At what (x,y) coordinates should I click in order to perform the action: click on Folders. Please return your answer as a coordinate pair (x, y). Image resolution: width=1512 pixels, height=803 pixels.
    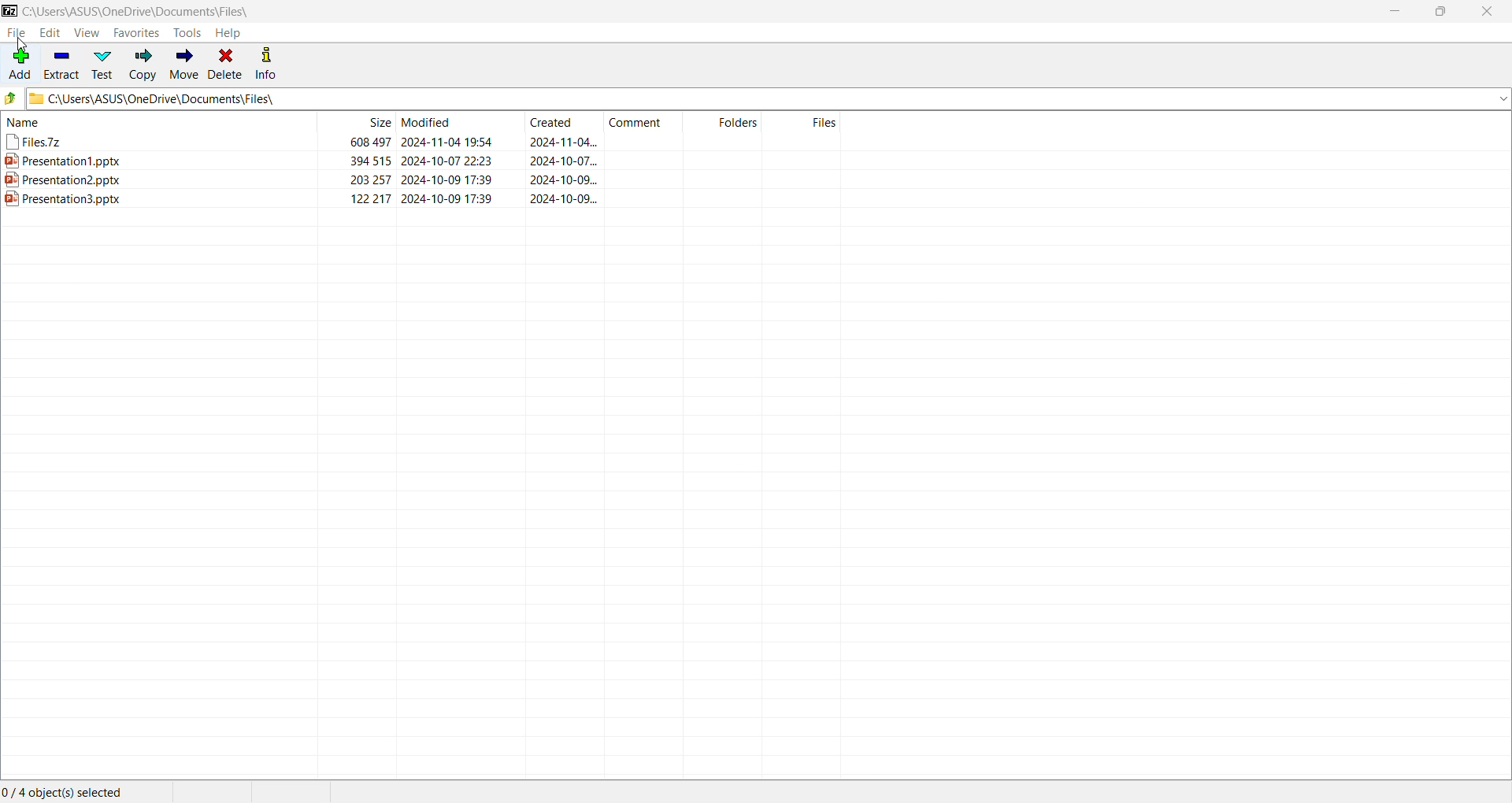
    Looking at the image, I should click on (736, 124).